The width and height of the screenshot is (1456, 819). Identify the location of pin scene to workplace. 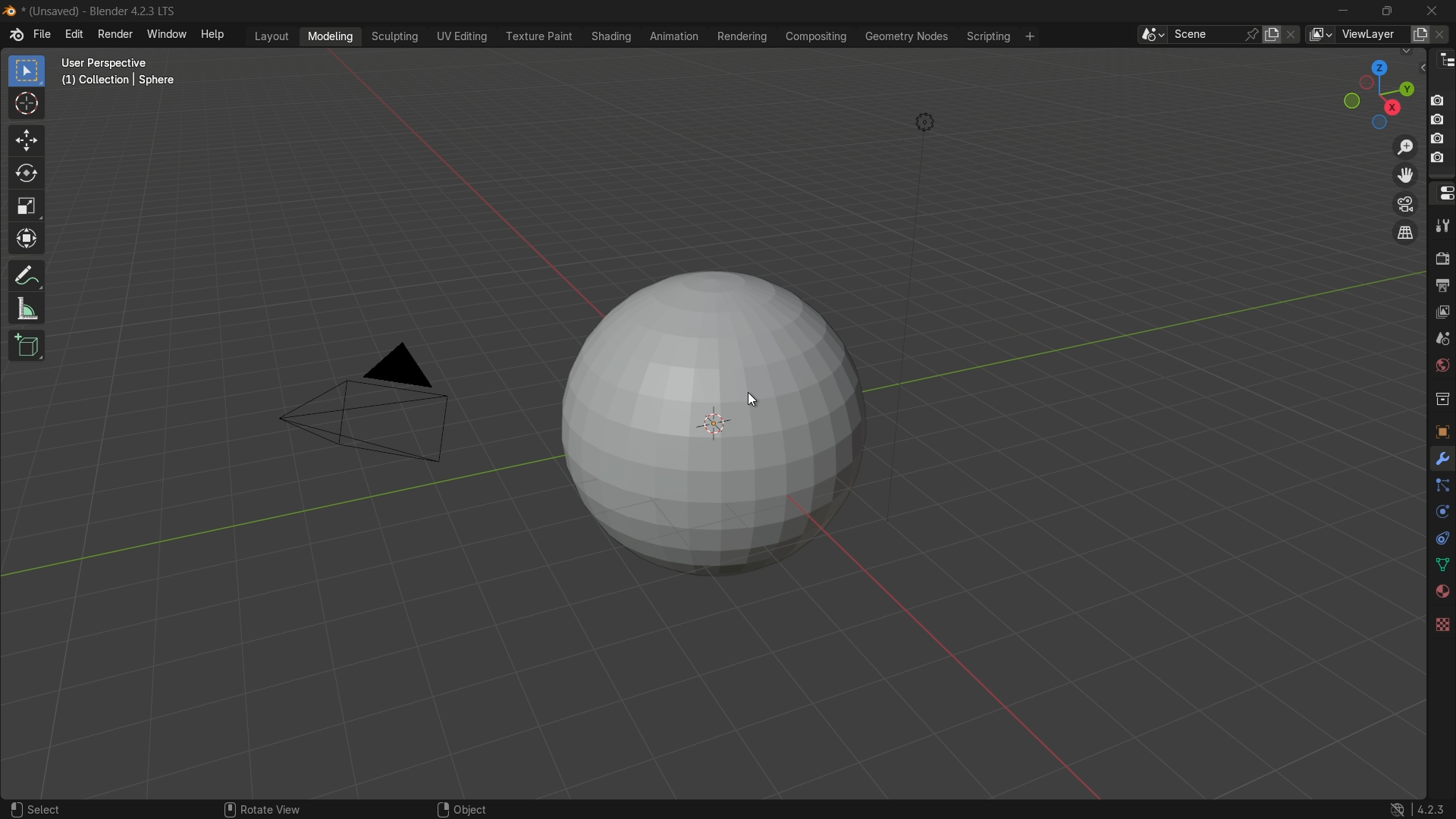
(1253, 33).